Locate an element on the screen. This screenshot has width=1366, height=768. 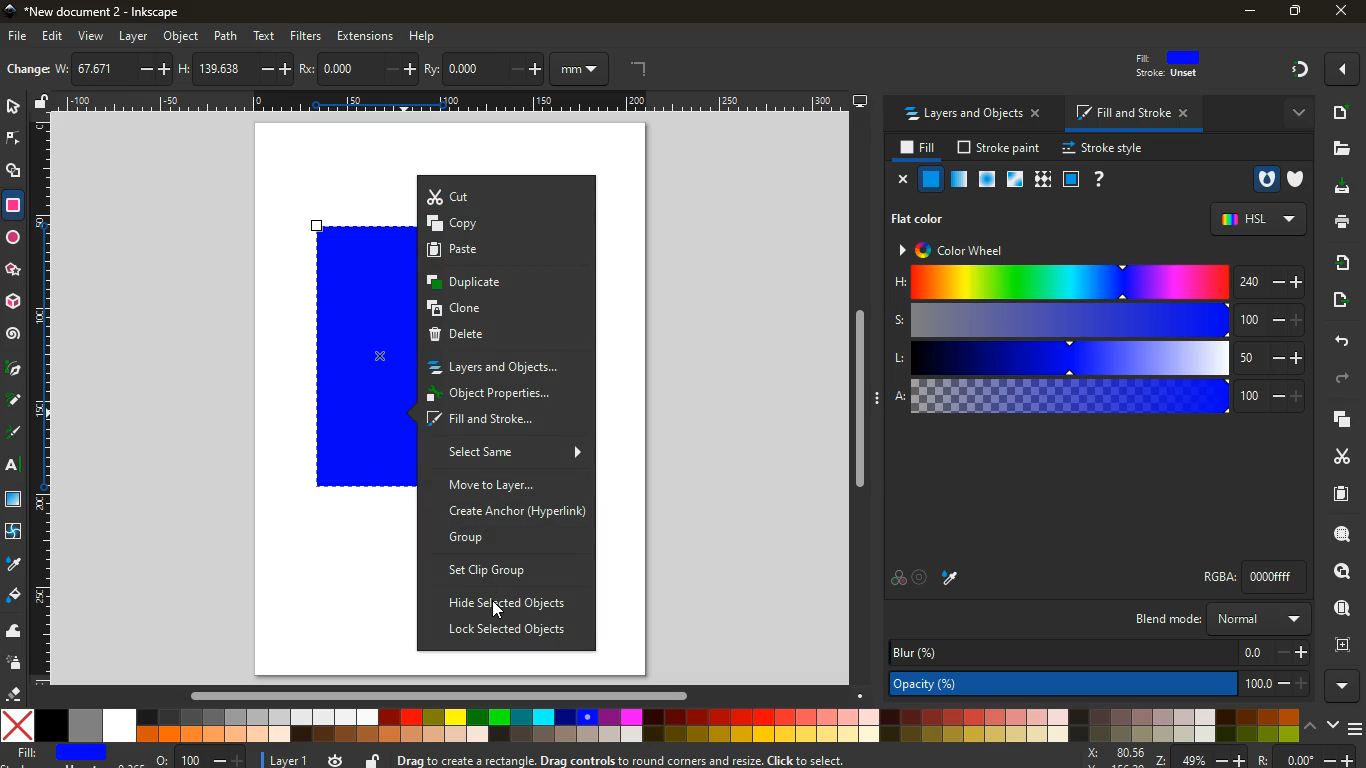
print is located at coordinates (1340, 222).